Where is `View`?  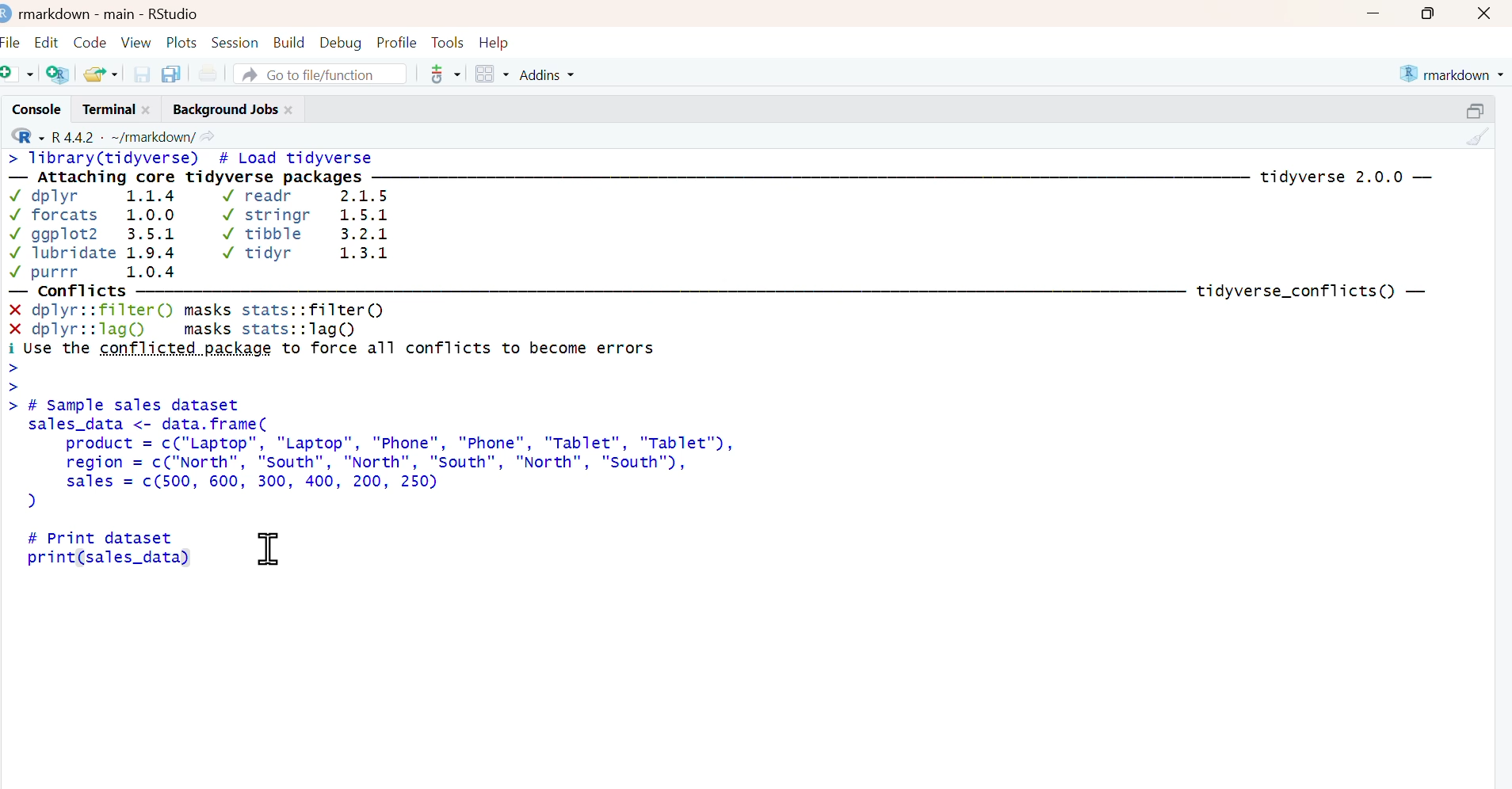
View is located at coordinates (138, 40).